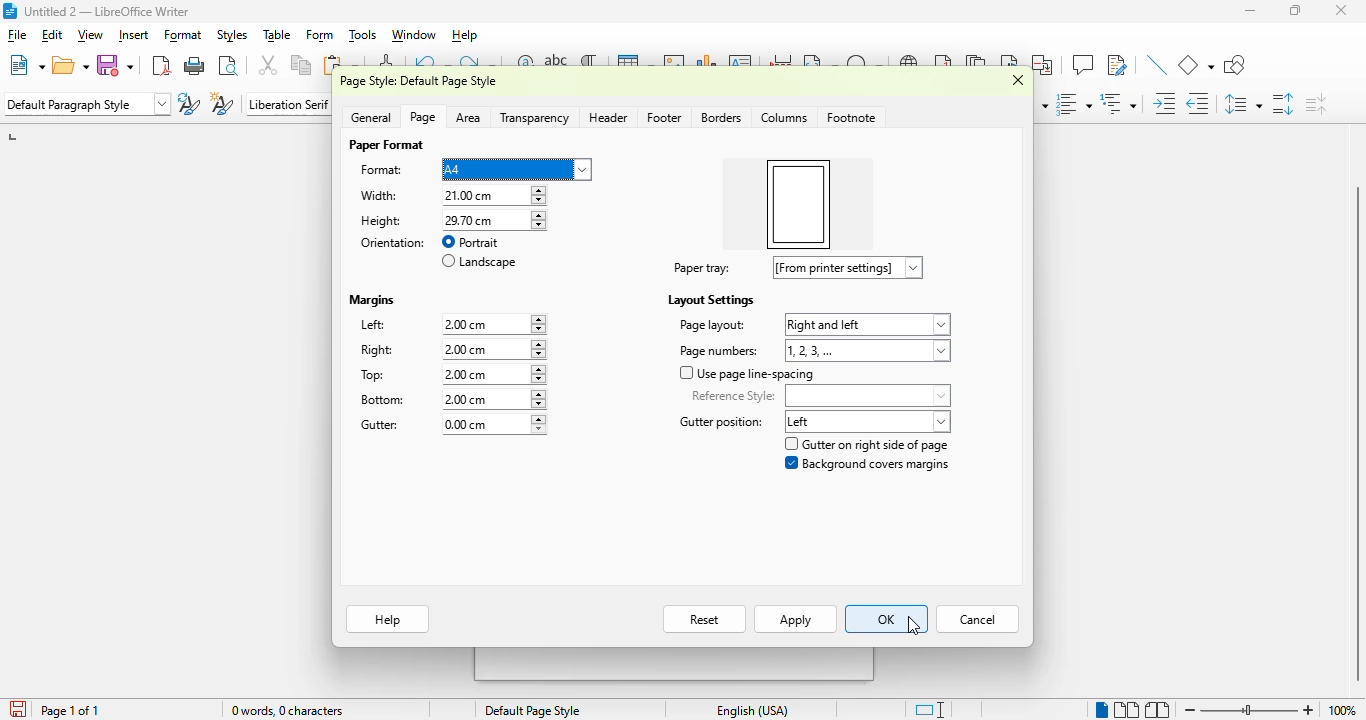 The width and height of the screenshot is (1366, 720). Describe the element at coordinates (1197, 66) in the screenshot. I see `basic shapes` at that location.